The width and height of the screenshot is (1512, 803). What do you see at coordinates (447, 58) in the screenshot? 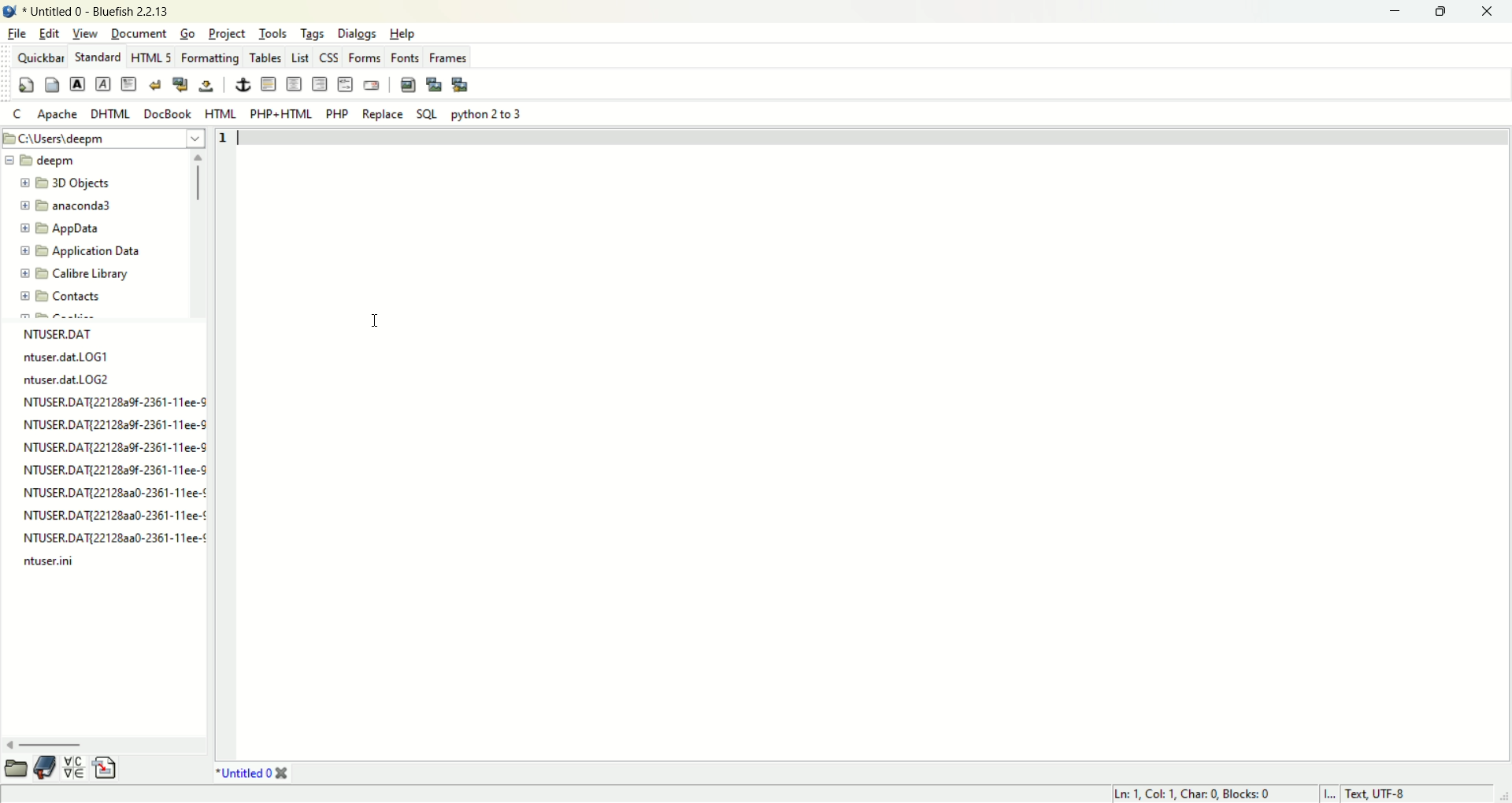
I see `frames` at bounding box center [447, 58].